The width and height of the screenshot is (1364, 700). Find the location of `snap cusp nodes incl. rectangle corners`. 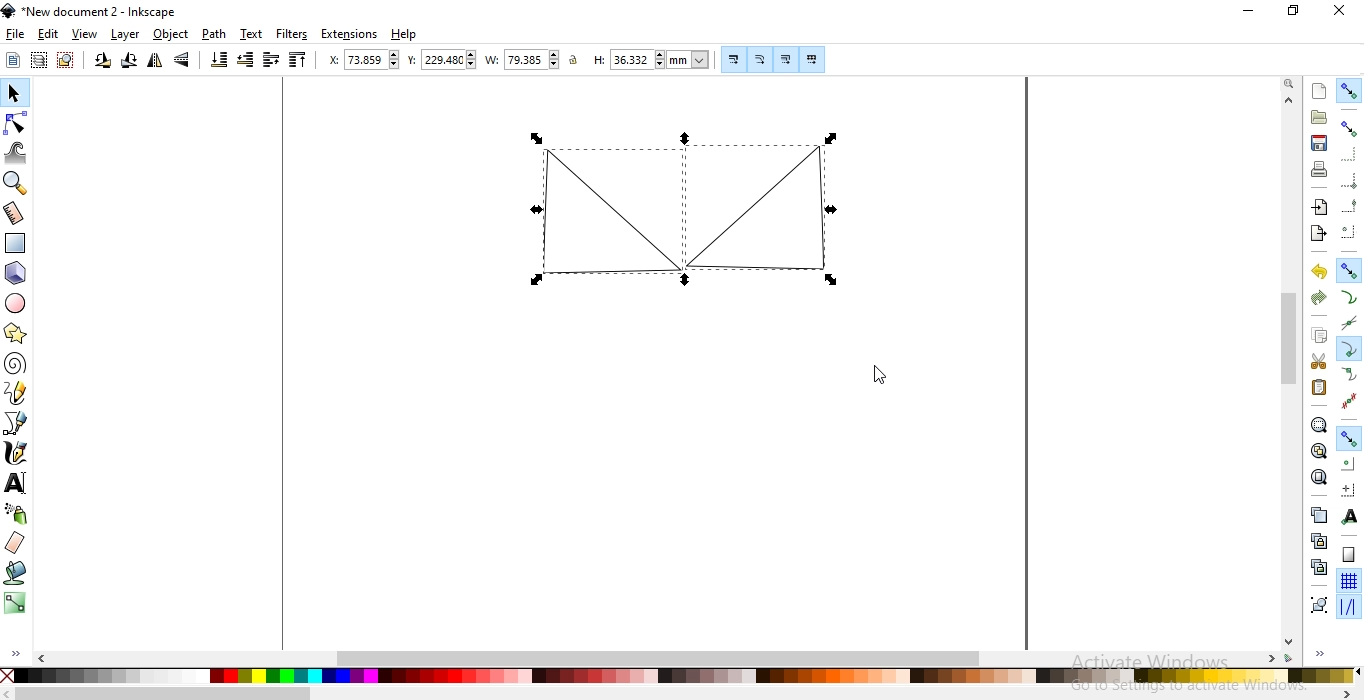

snap cusp nodes incl. rectangle corners is located at coordinates (1348, 348).